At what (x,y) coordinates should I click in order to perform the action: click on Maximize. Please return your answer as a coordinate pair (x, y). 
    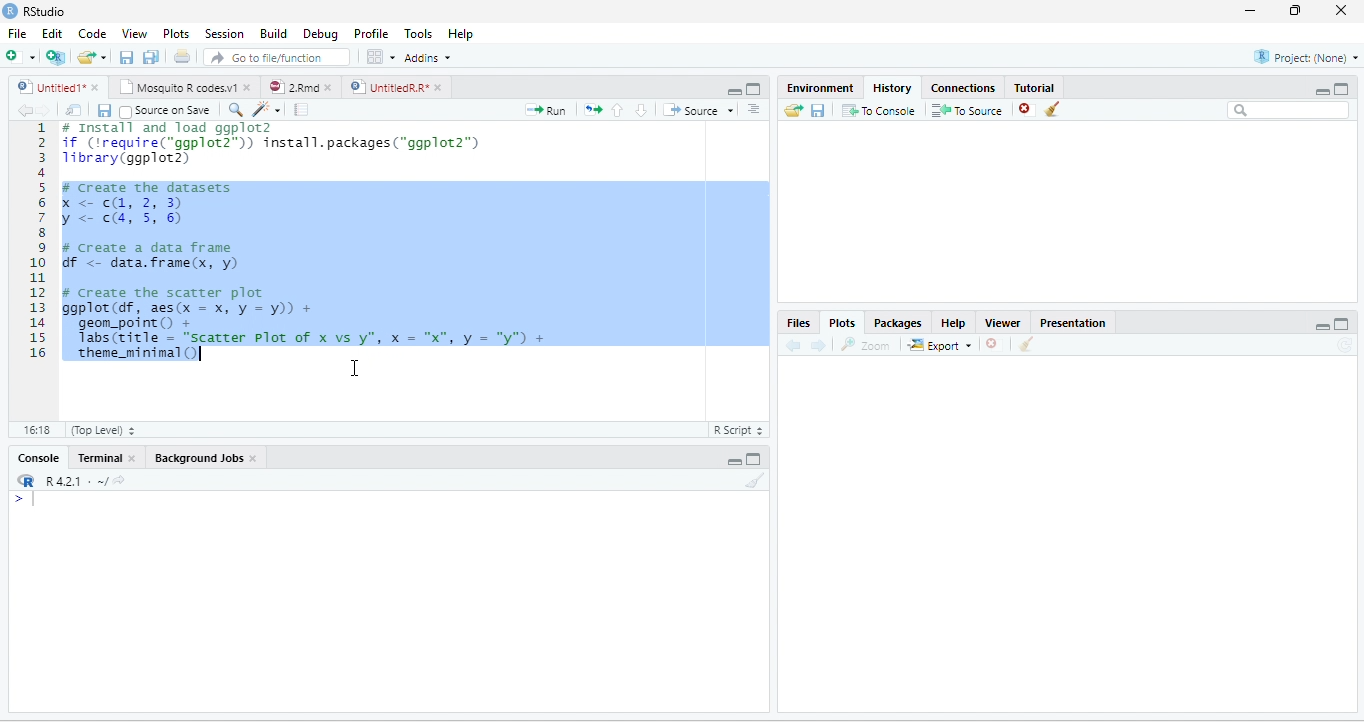
    Looking at the image, I should click on (754, 458).